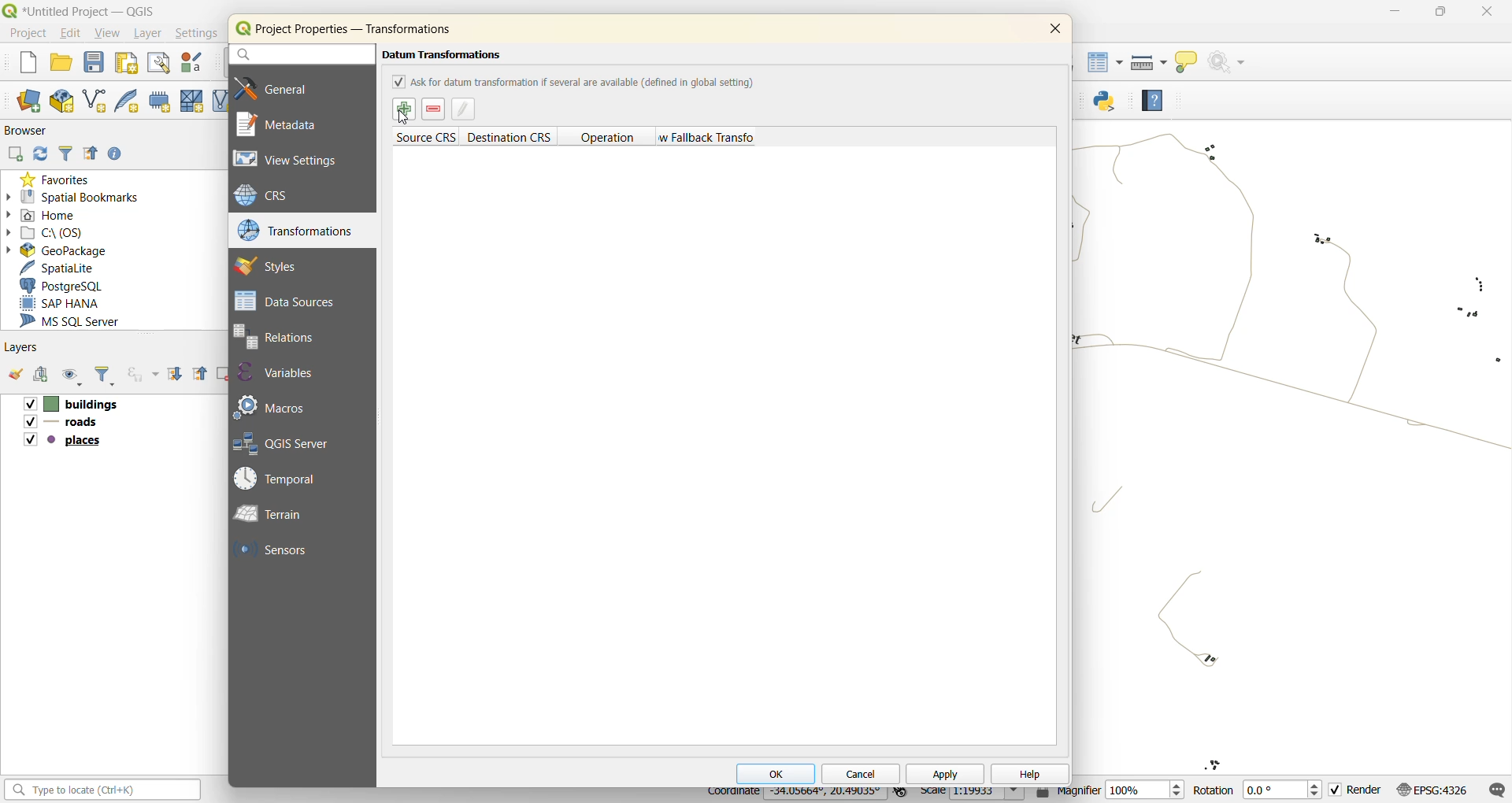 This screenshot has height=803, width=1512. Describe the element at coordinates (187, 62) in the screenshot. I see `style manager` at that location.